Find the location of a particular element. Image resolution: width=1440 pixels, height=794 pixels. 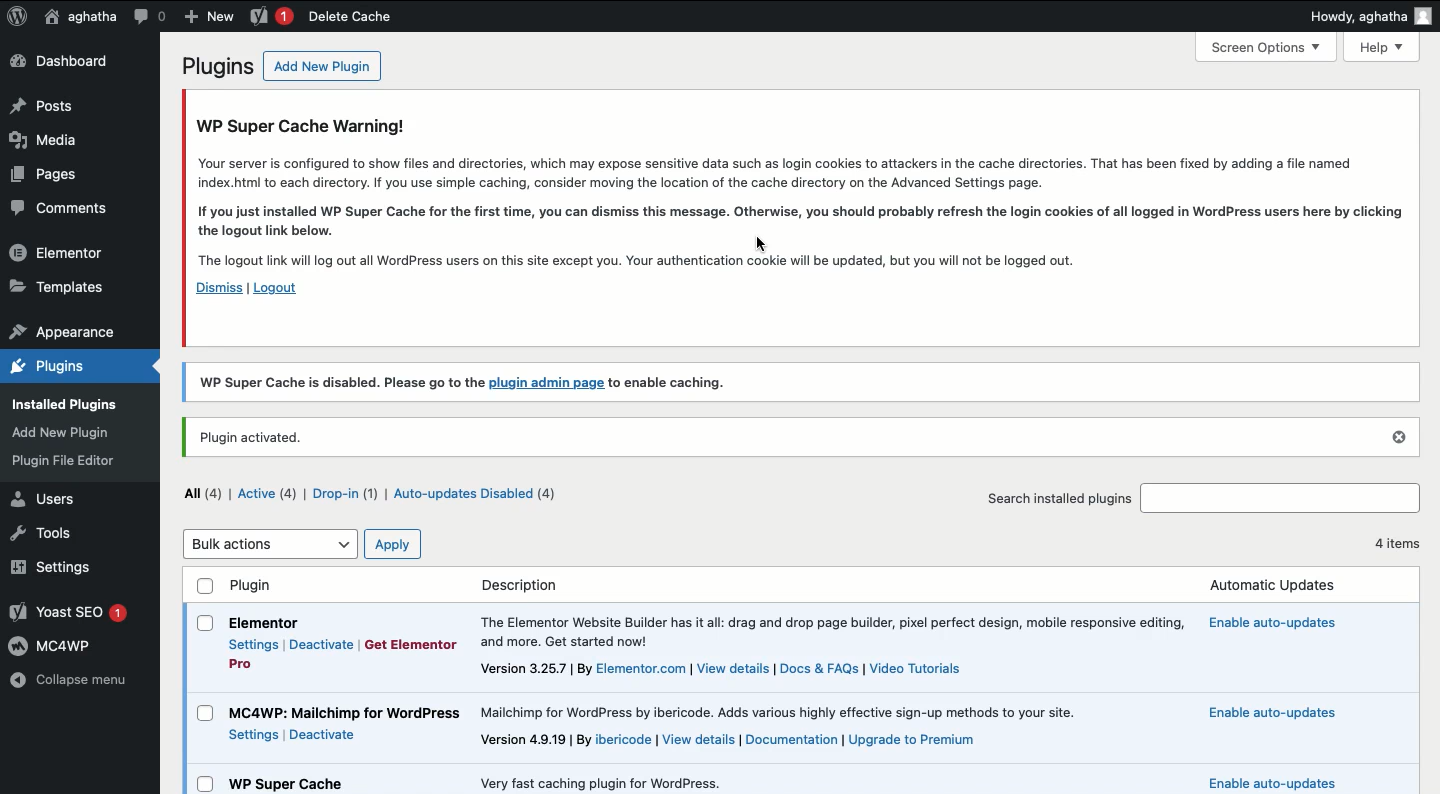

Get elementor Pro is located at coordinates (249, 662).